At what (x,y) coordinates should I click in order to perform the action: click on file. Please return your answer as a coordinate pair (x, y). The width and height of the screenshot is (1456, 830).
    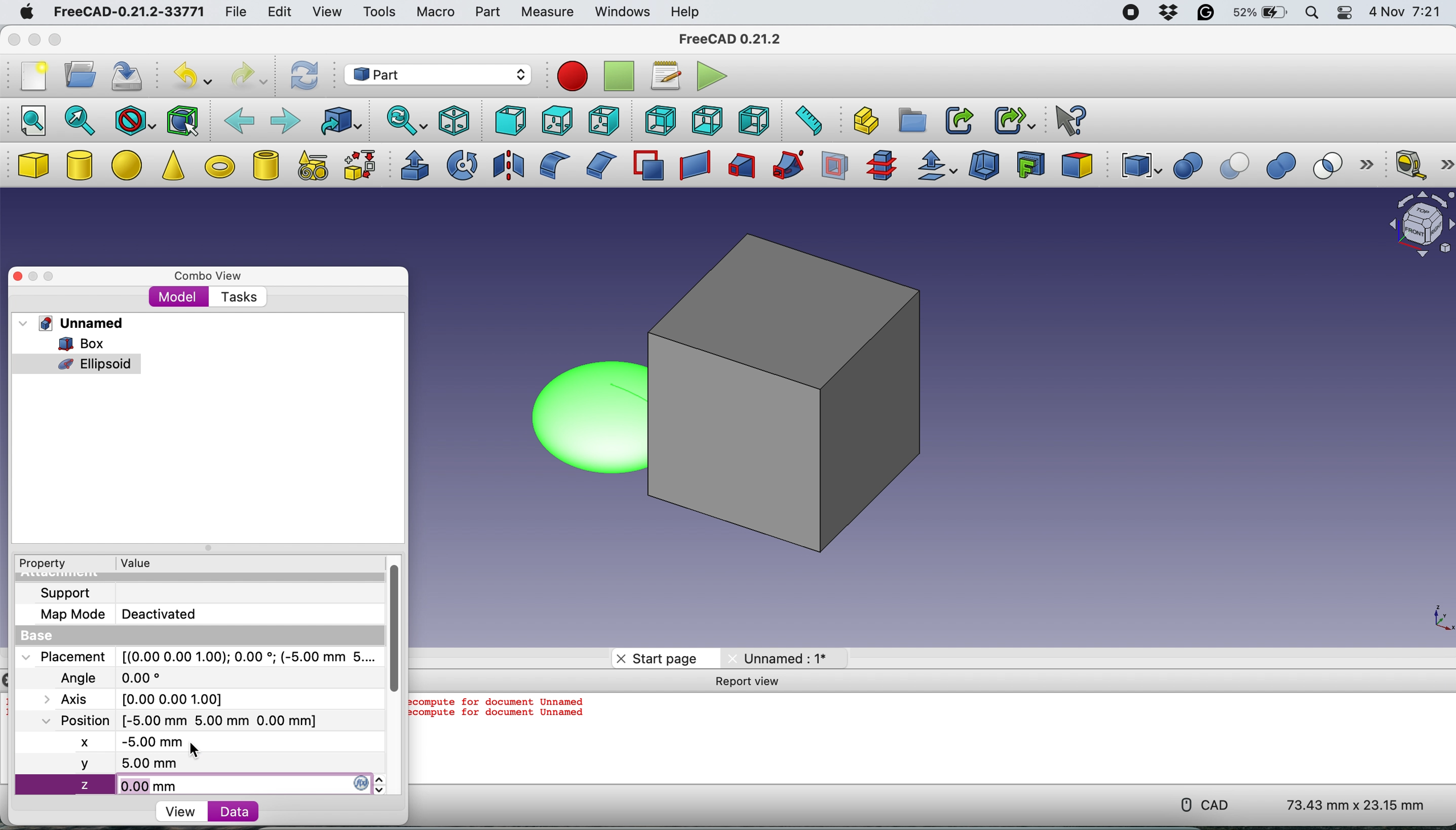
    Looking at the image, I should click on (236, 13).